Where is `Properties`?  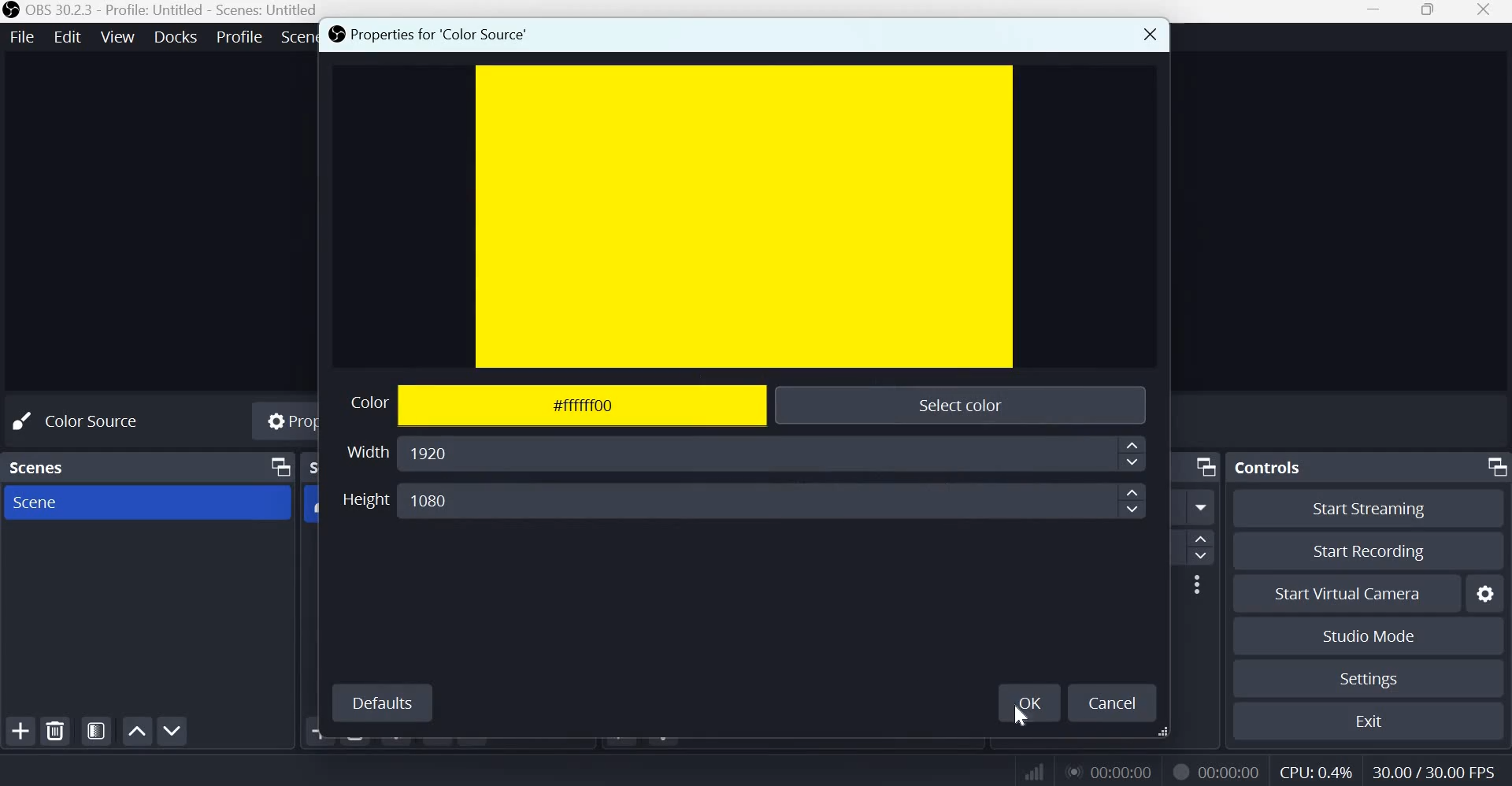 Properties is located at coordinates (287, 423).